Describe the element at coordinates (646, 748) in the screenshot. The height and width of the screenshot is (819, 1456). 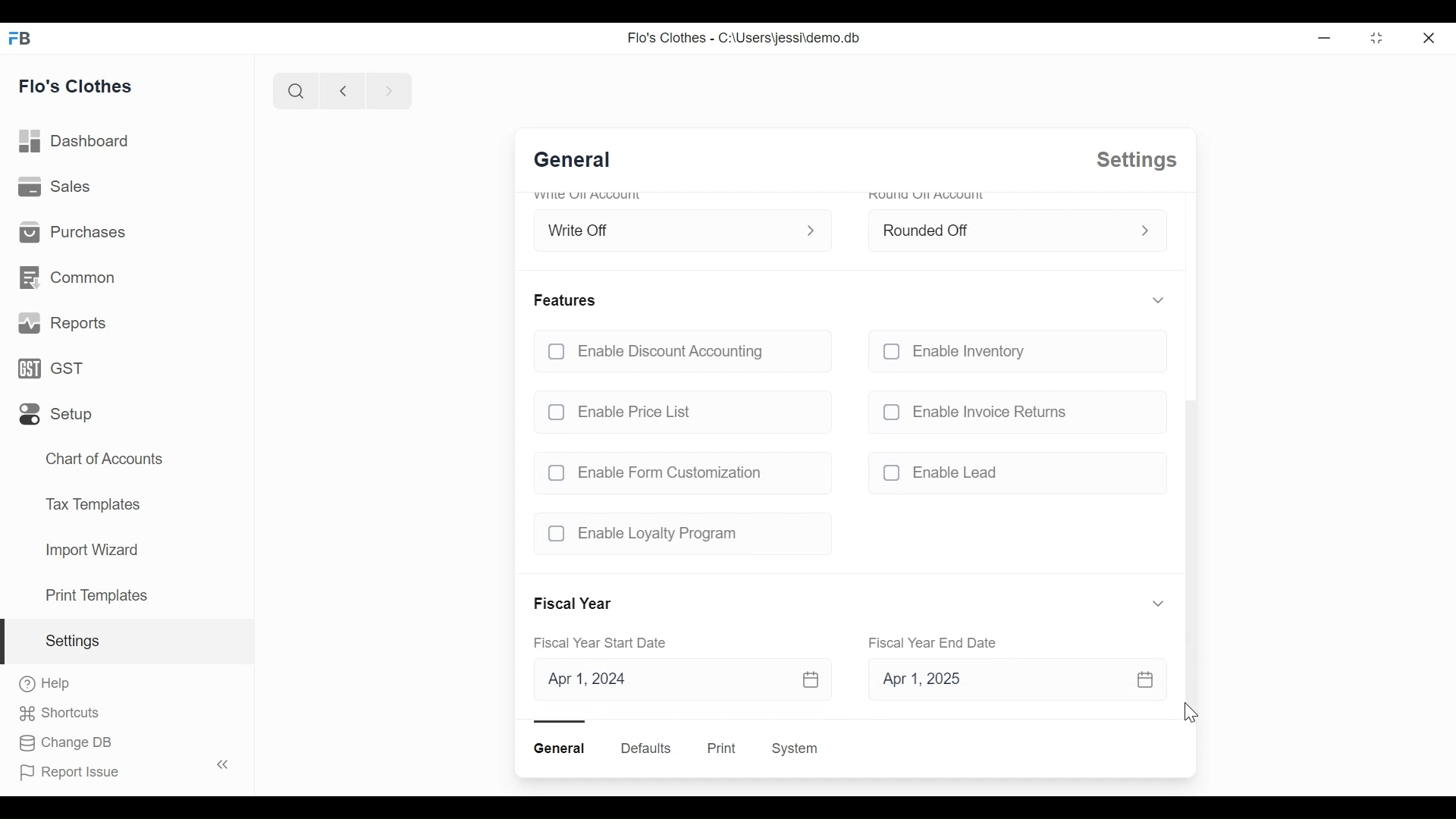
I see `Defaults` at that location.